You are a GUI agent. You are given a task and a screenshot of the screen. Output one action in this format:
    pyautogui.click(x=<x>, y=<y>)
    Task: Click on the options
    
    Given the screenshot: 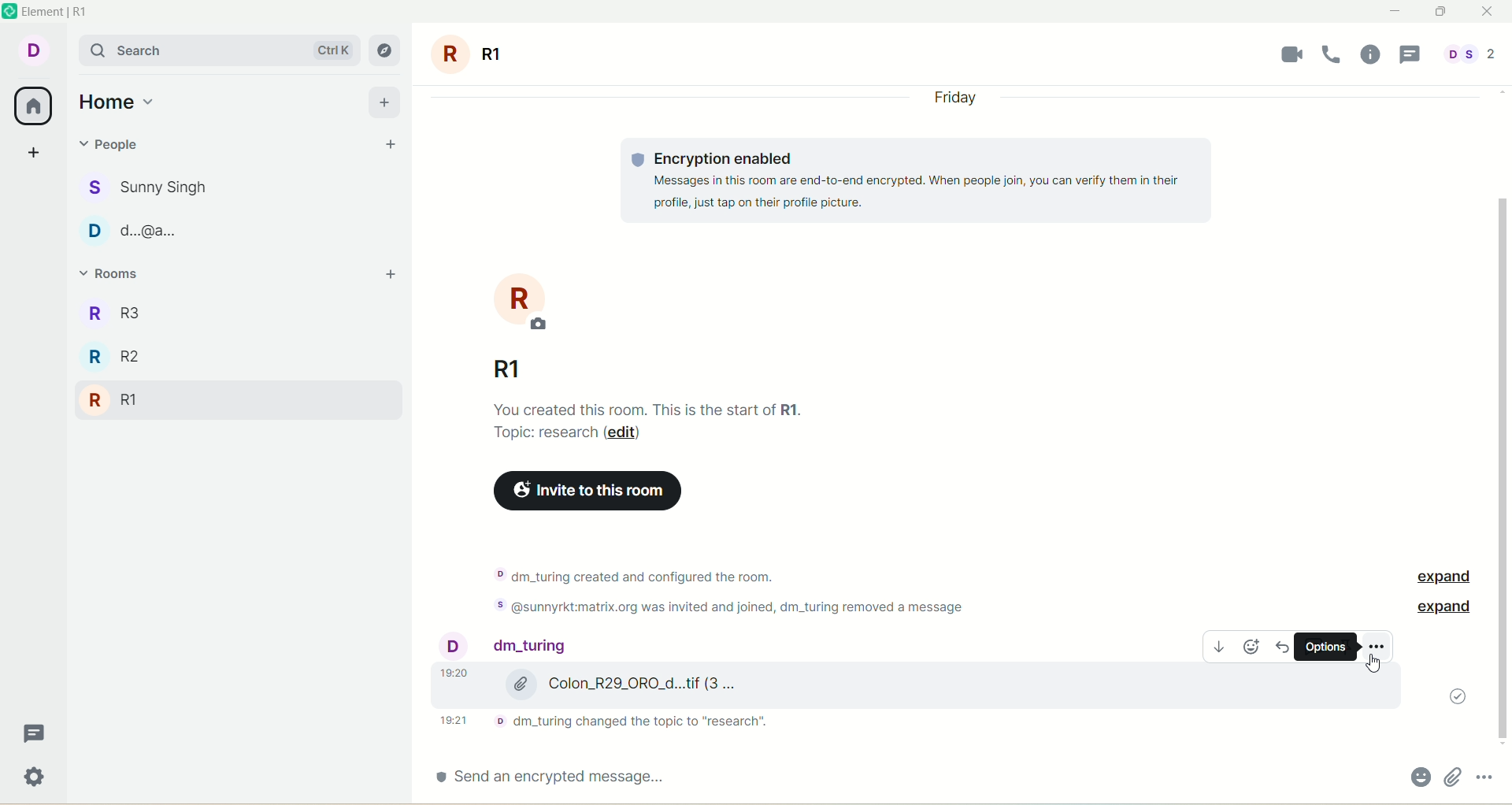 What is the action you would take?
    pyautogui.click(x=1487, y=773)
    